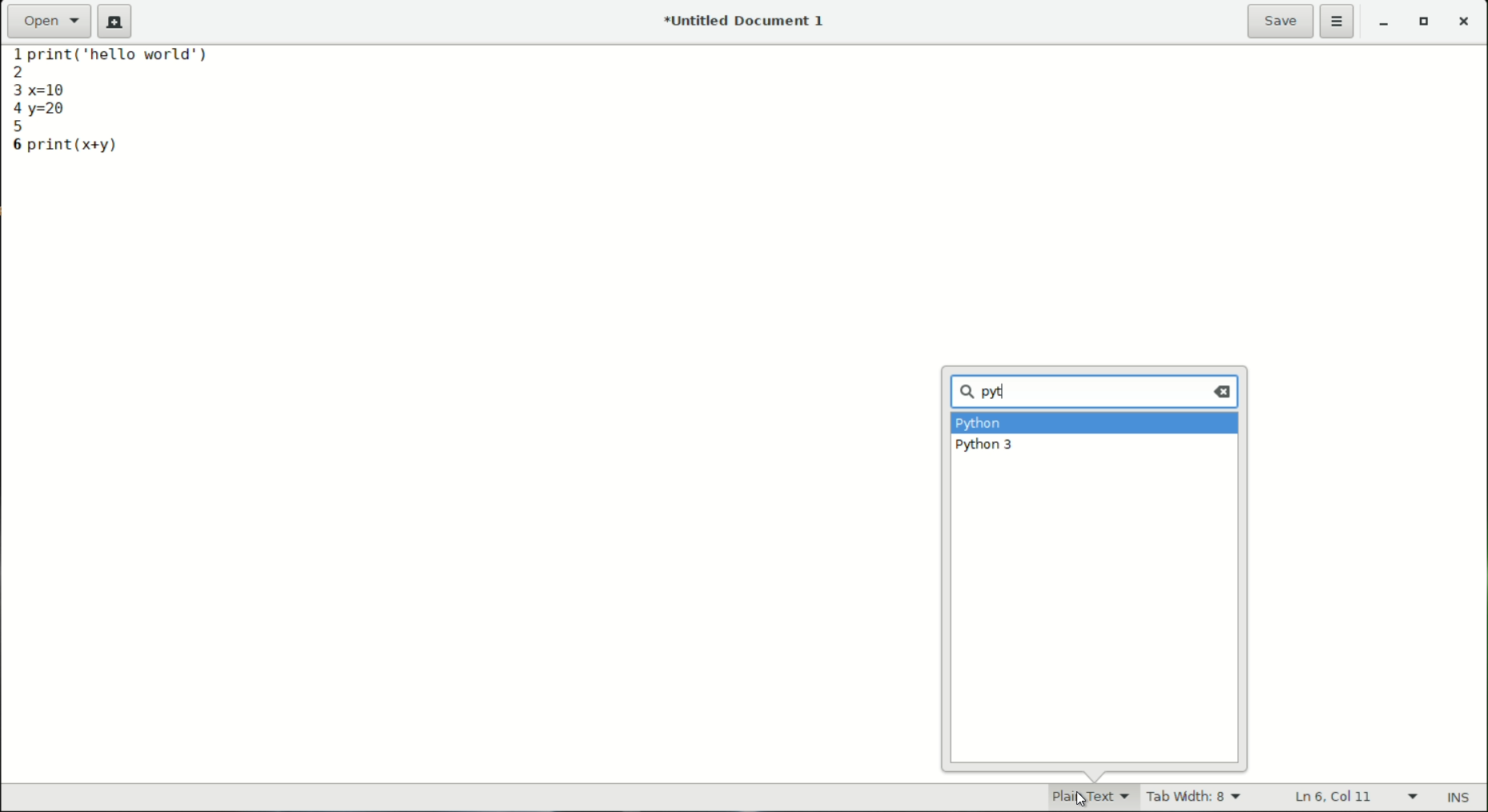 The height and width of the screenshot is (812, 1488). What do you see at coordinates (1426, 24) in the screenshot?
I see `full screen` at bounding box center [1426, 24].